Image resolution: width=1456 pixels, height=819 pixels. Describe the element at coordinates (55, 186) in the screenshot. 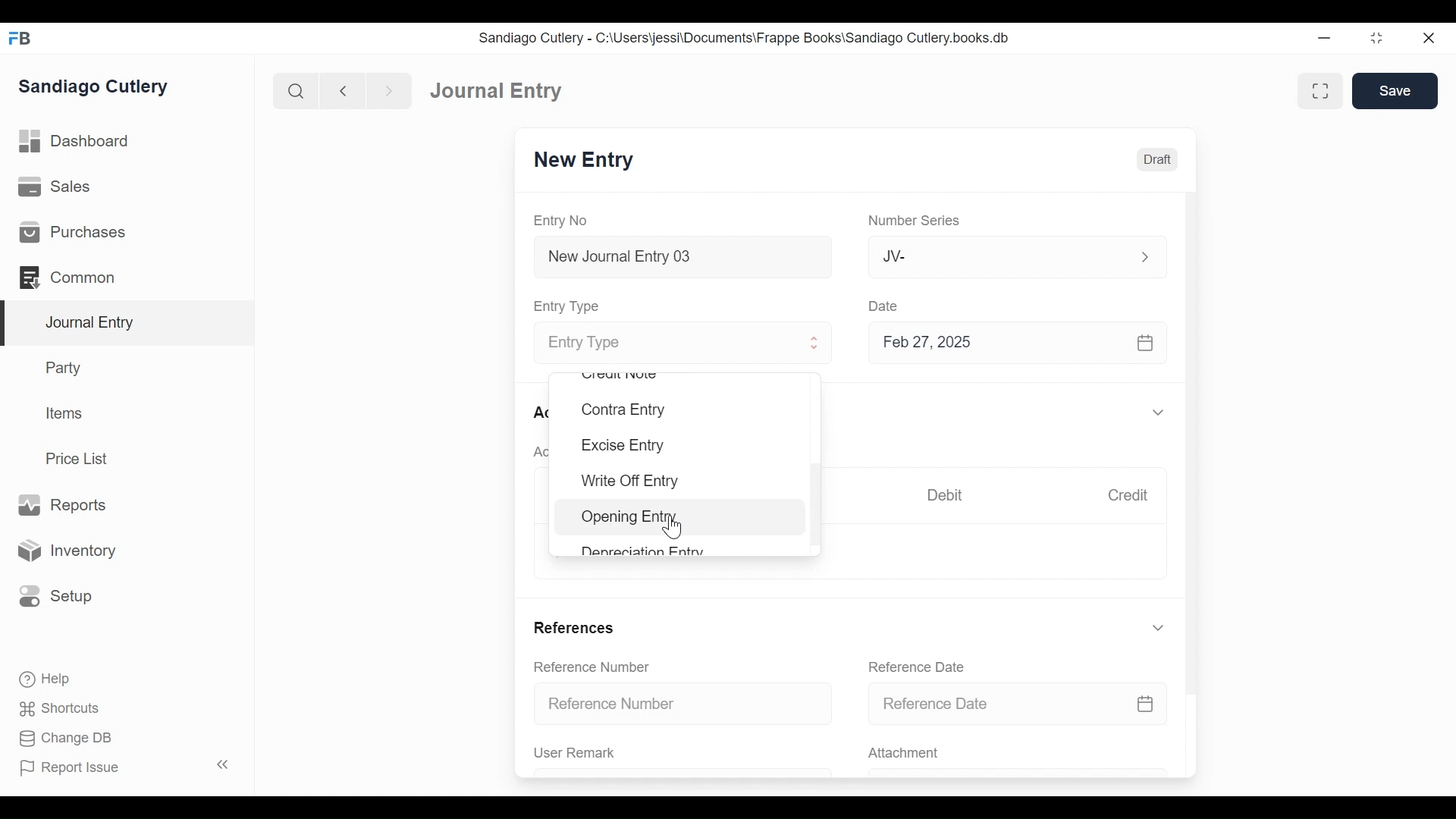

I see `Sales` at that location.